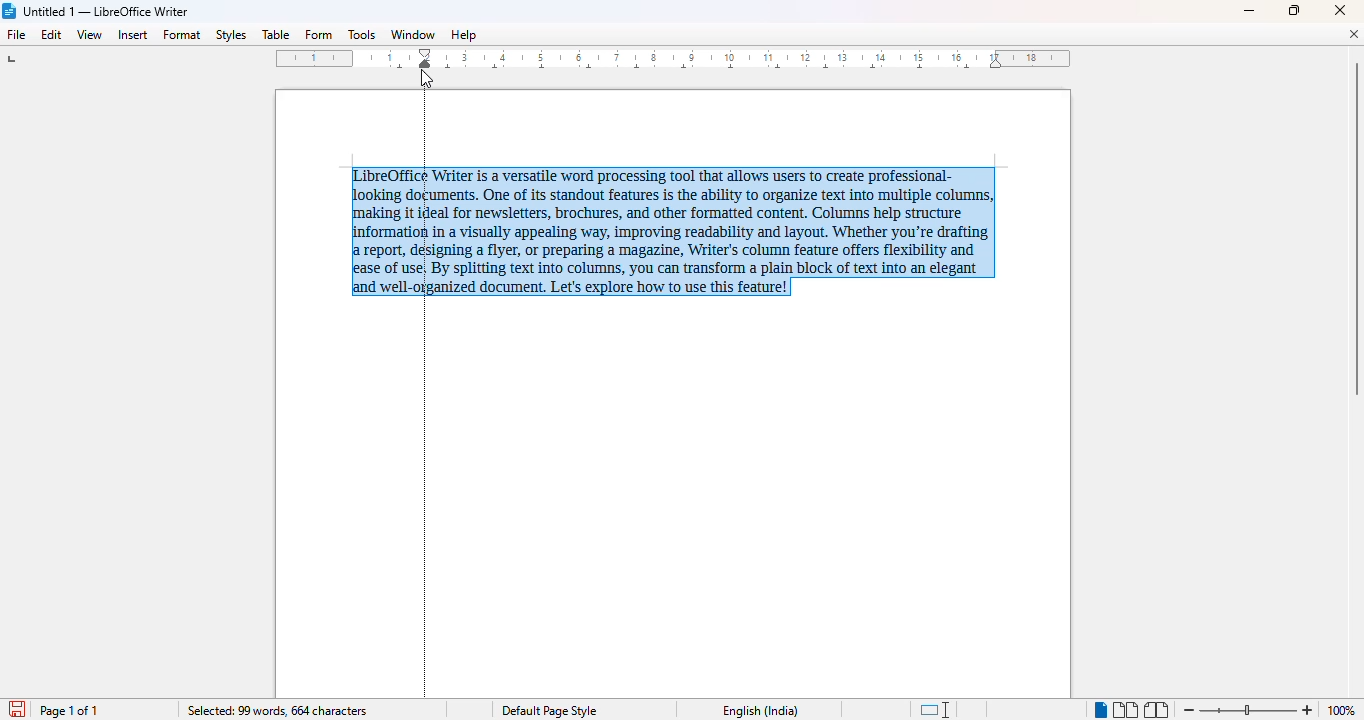 This screenshot has width=1364, height=720. What do you see at coordinates (90, 33) in the screenshot?
I see `view` at bounding box center [90, 33].